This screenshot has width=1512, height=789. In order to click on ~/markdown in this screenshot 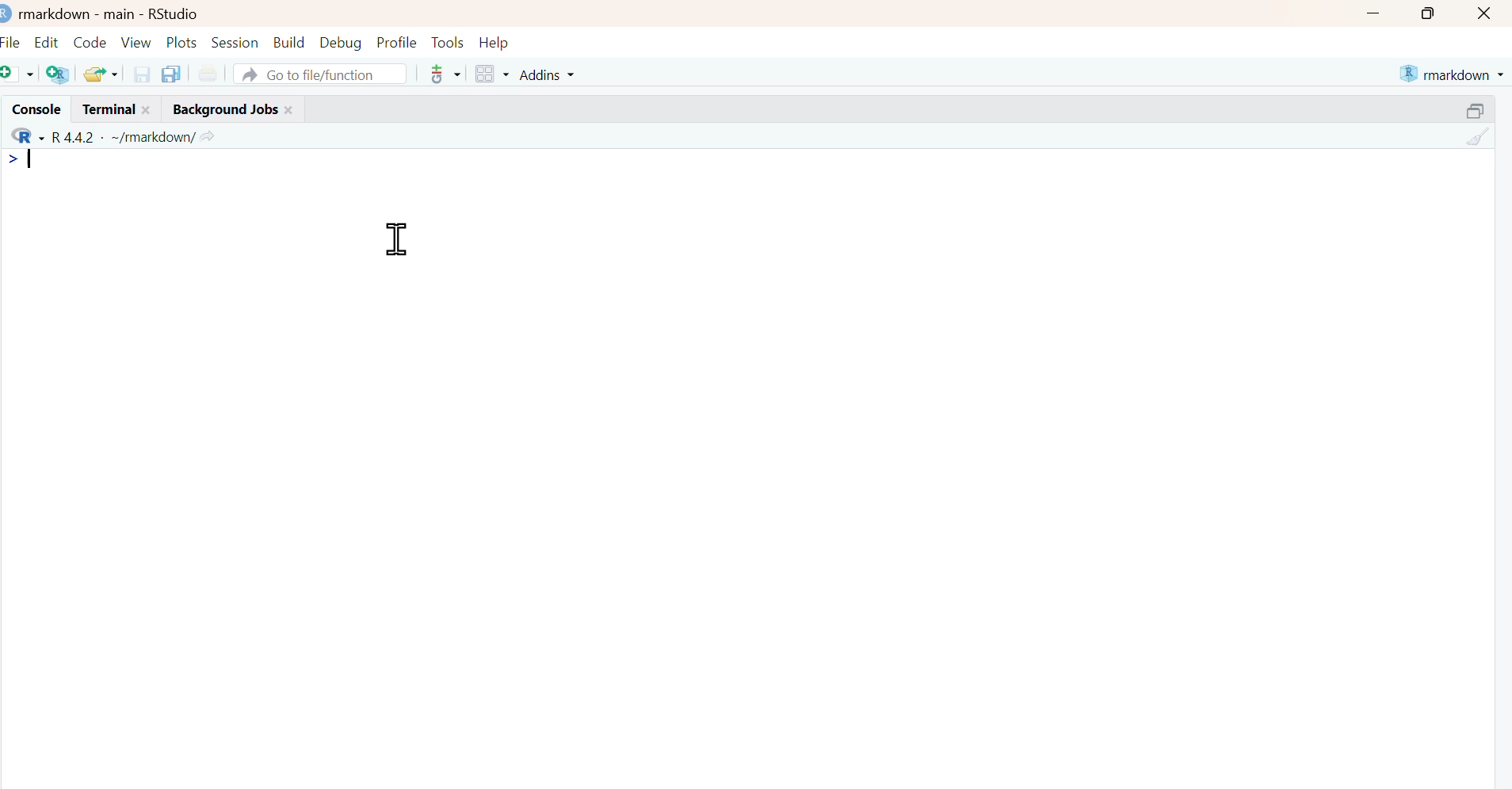, I will do `click(151, 135)`.